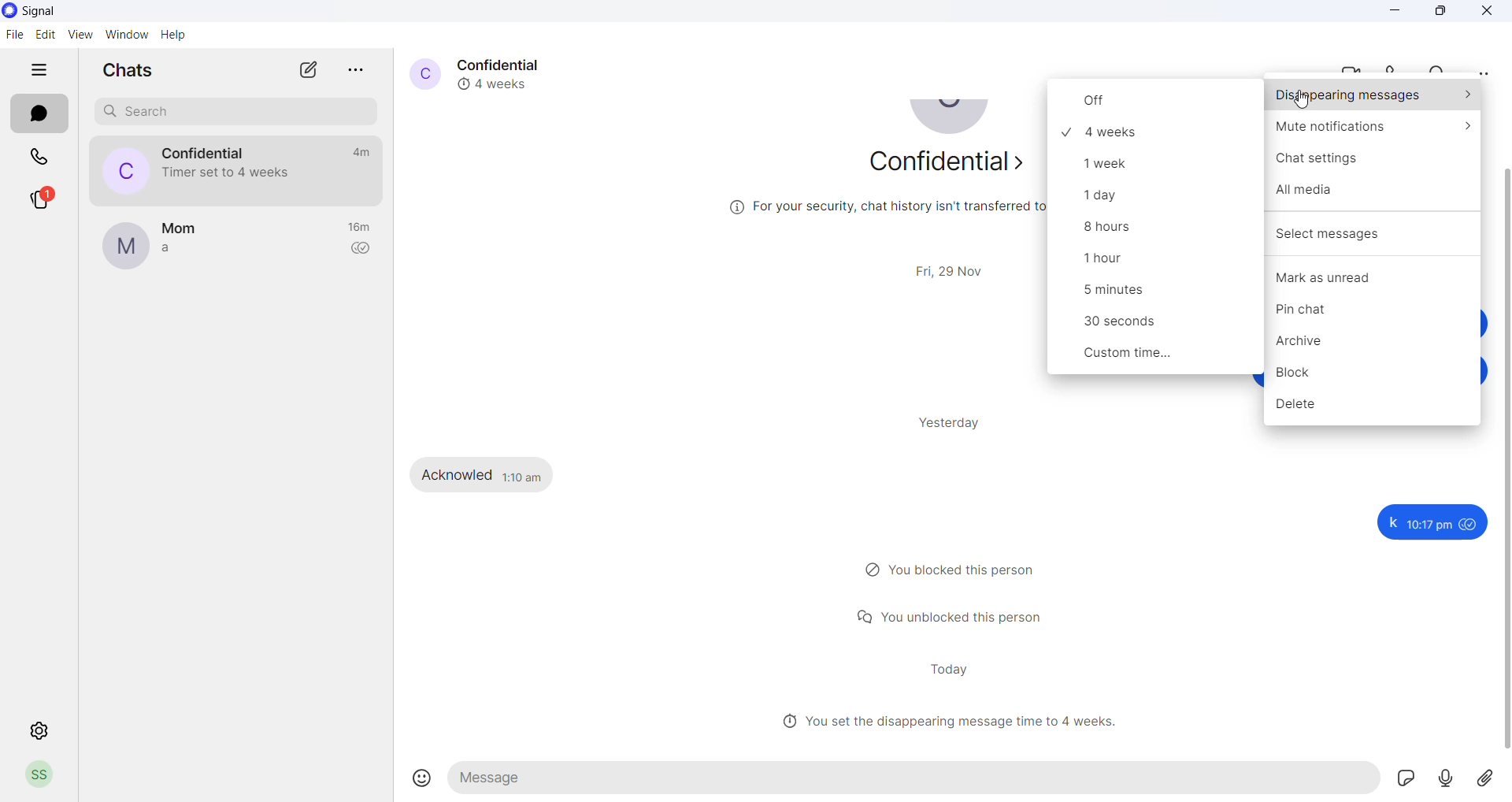 This screenshot has width=1512, height=802. What do you see at coordinates (174, 35) in the screenshot?
I see `help` at bounding box center [174, 35].